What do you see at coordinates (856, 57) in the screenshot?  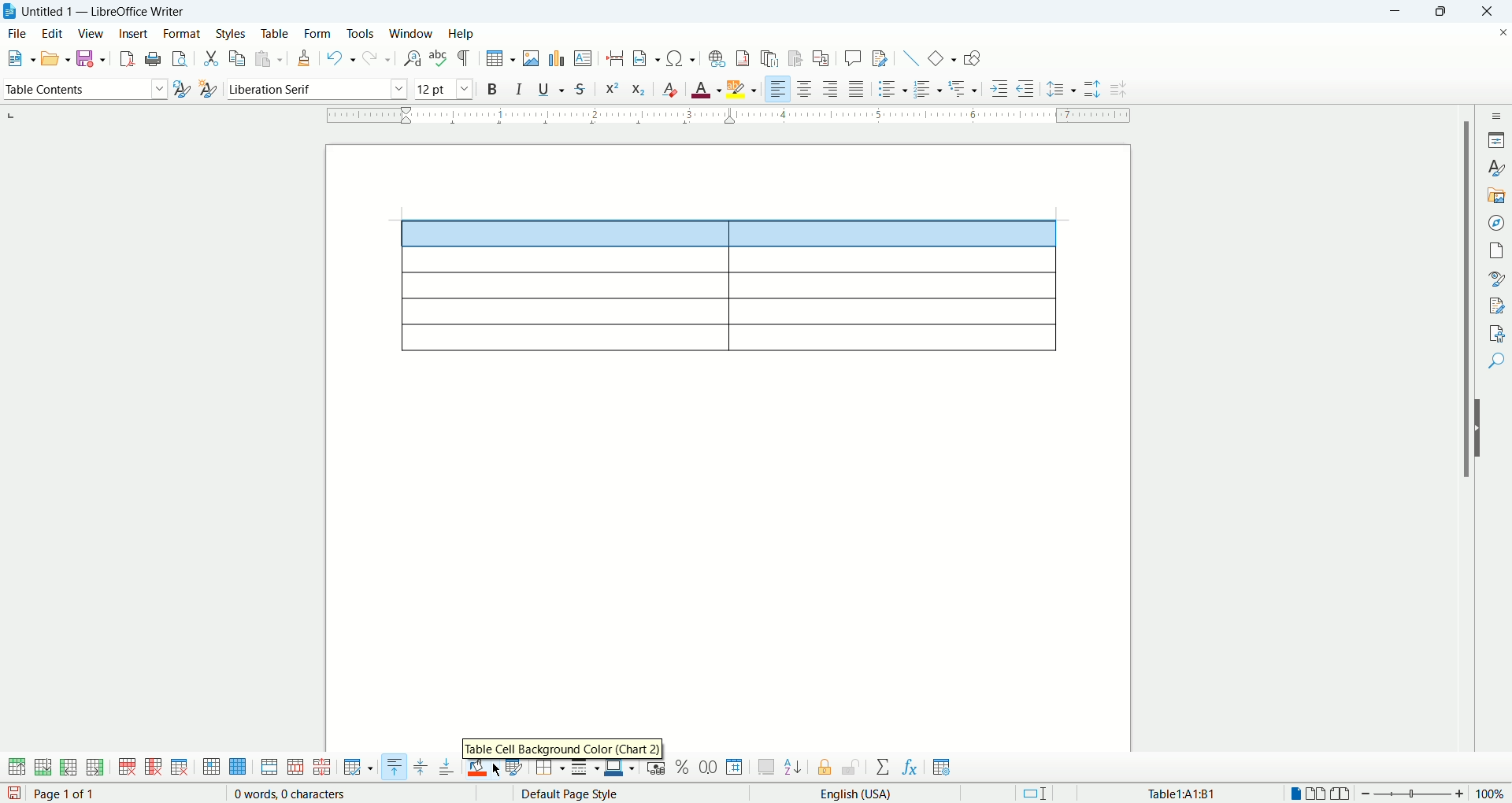 I see `insert comment` at bounding box center [856, 57].